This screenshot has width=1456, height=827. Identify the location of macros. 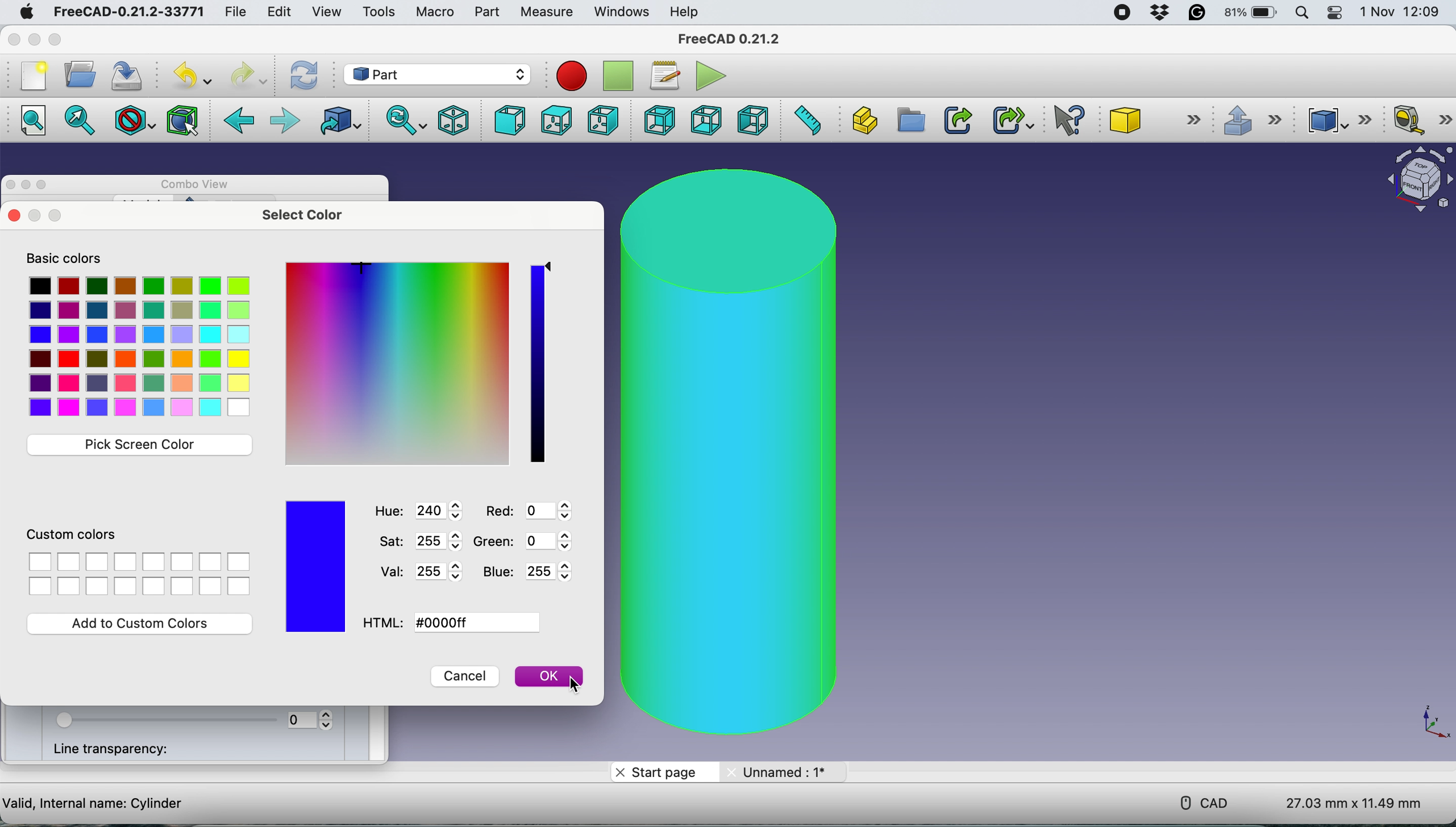
(664, 77).